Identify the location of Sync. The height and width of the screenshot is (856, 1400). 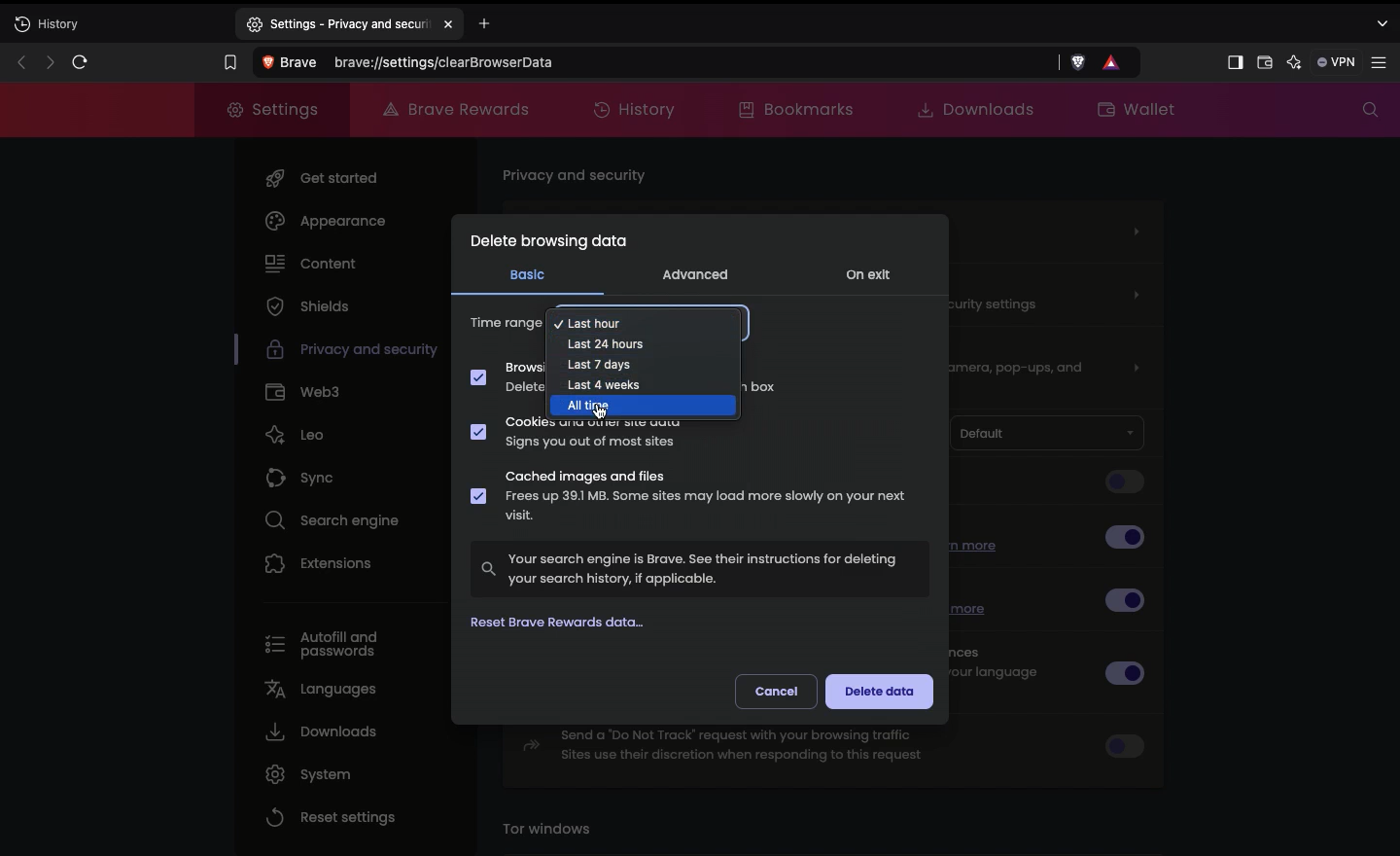
(317, 480).